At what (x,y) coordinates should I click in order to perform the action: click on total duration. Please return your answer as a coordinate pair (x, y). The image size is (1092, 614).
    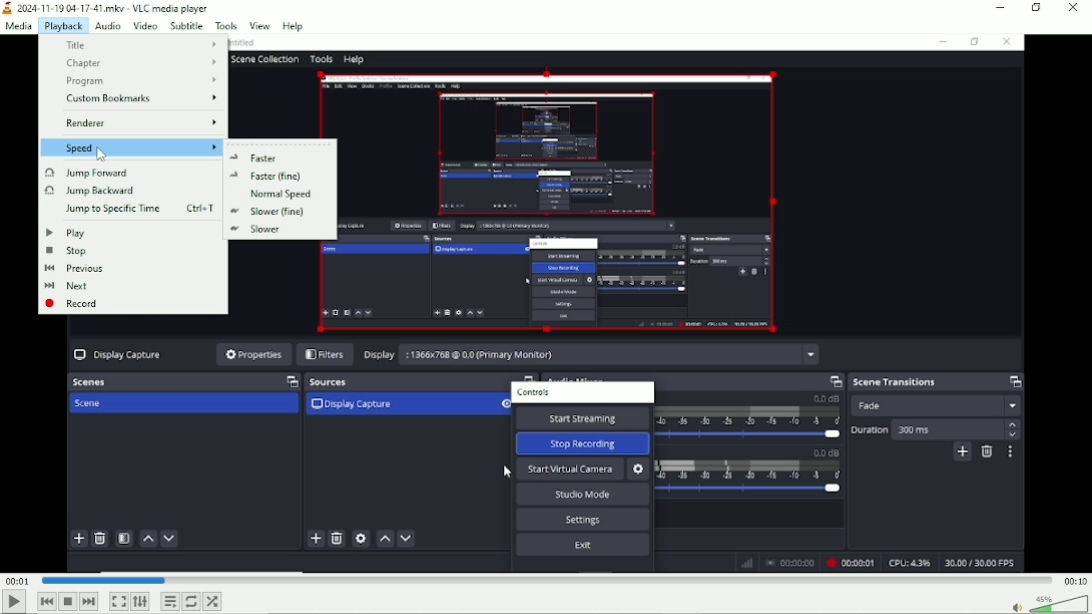
    Looking at the image, I should click on (1074, 579).